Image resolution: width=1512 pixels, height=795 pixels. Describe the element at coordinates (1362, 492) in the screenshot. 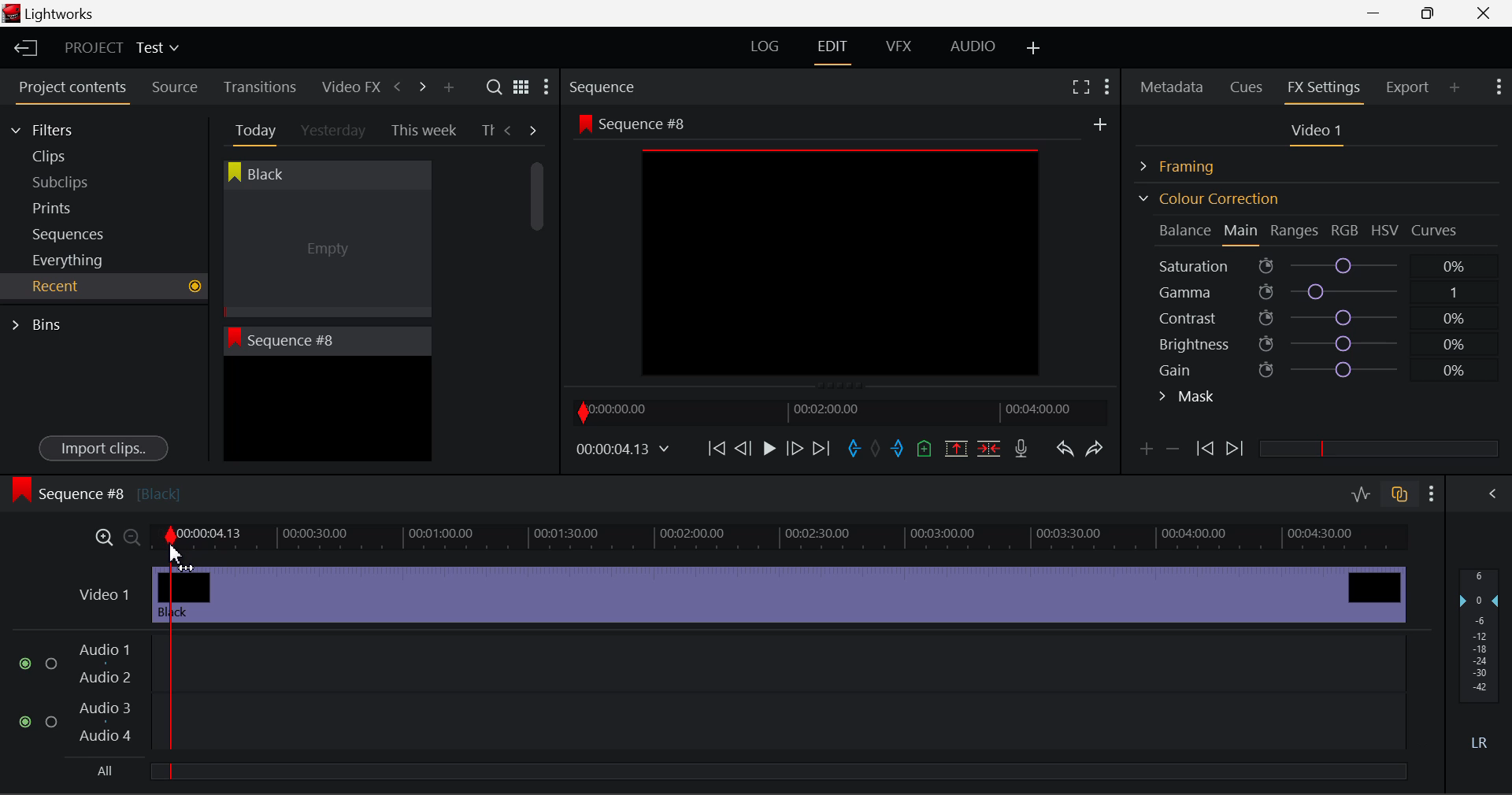

I see `Toggle audio editing levels` at that location.